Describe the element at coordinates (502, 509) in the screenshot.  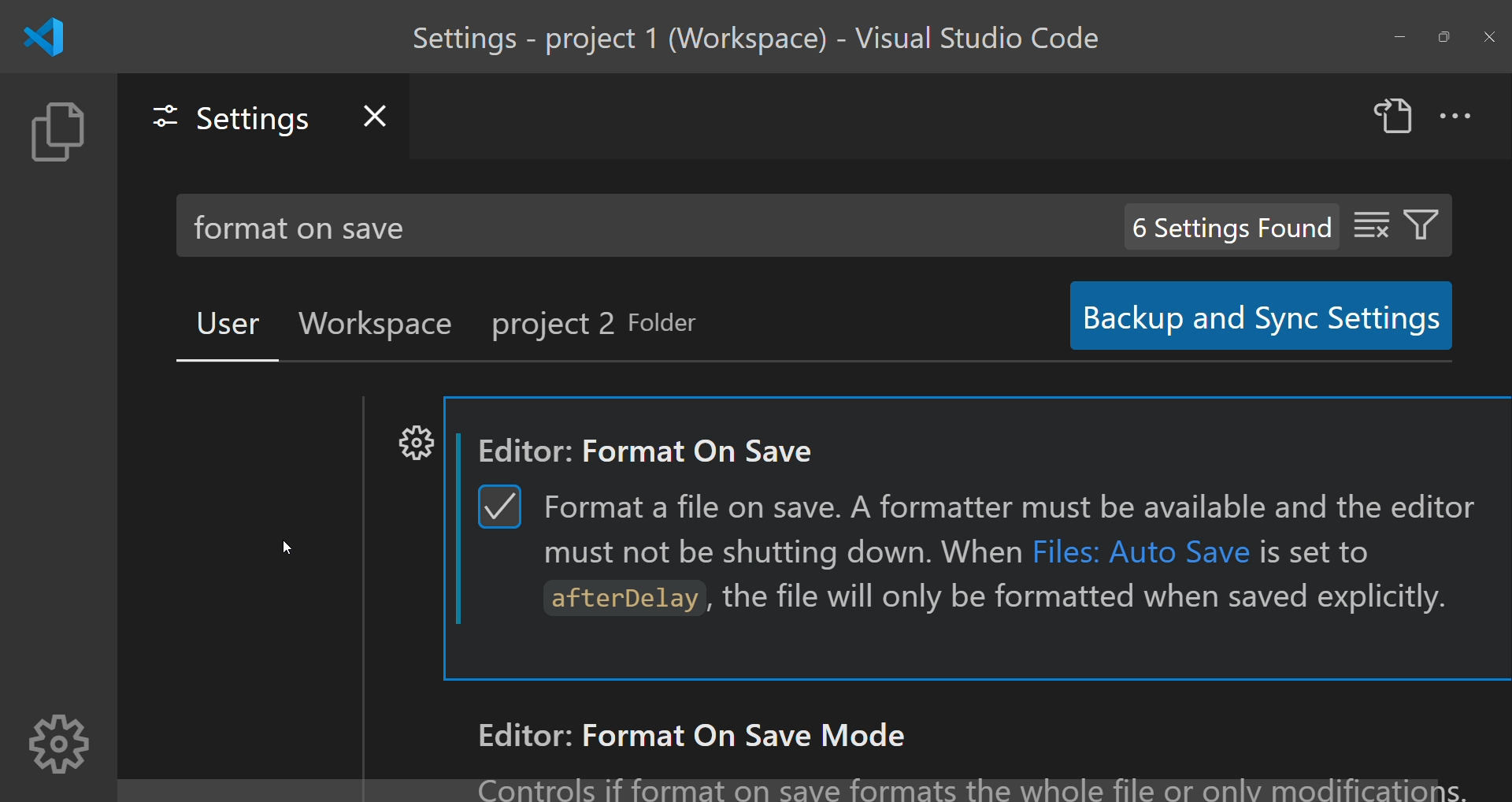
I see `checkbox` at that location.